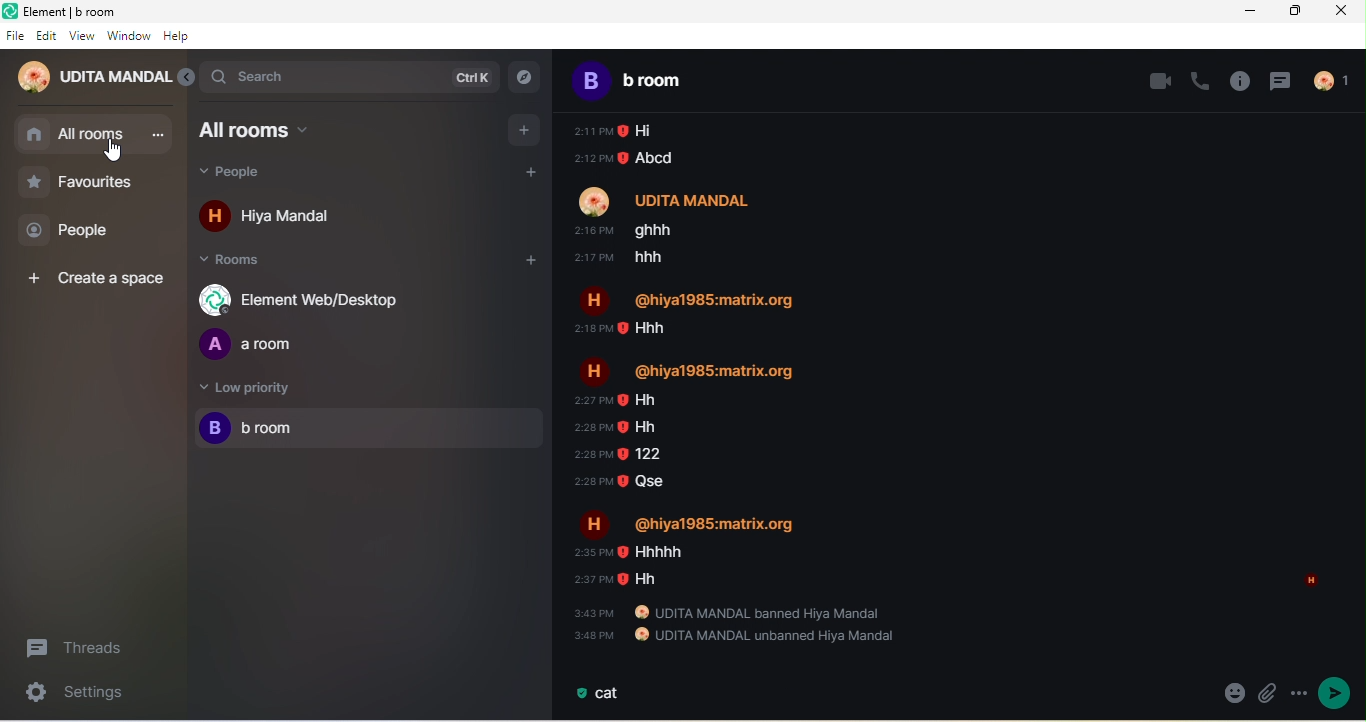 The image size is (1366, 722). Describe the element at coordinates (1337, 694) in the screenshot. I see `send message` at that location.